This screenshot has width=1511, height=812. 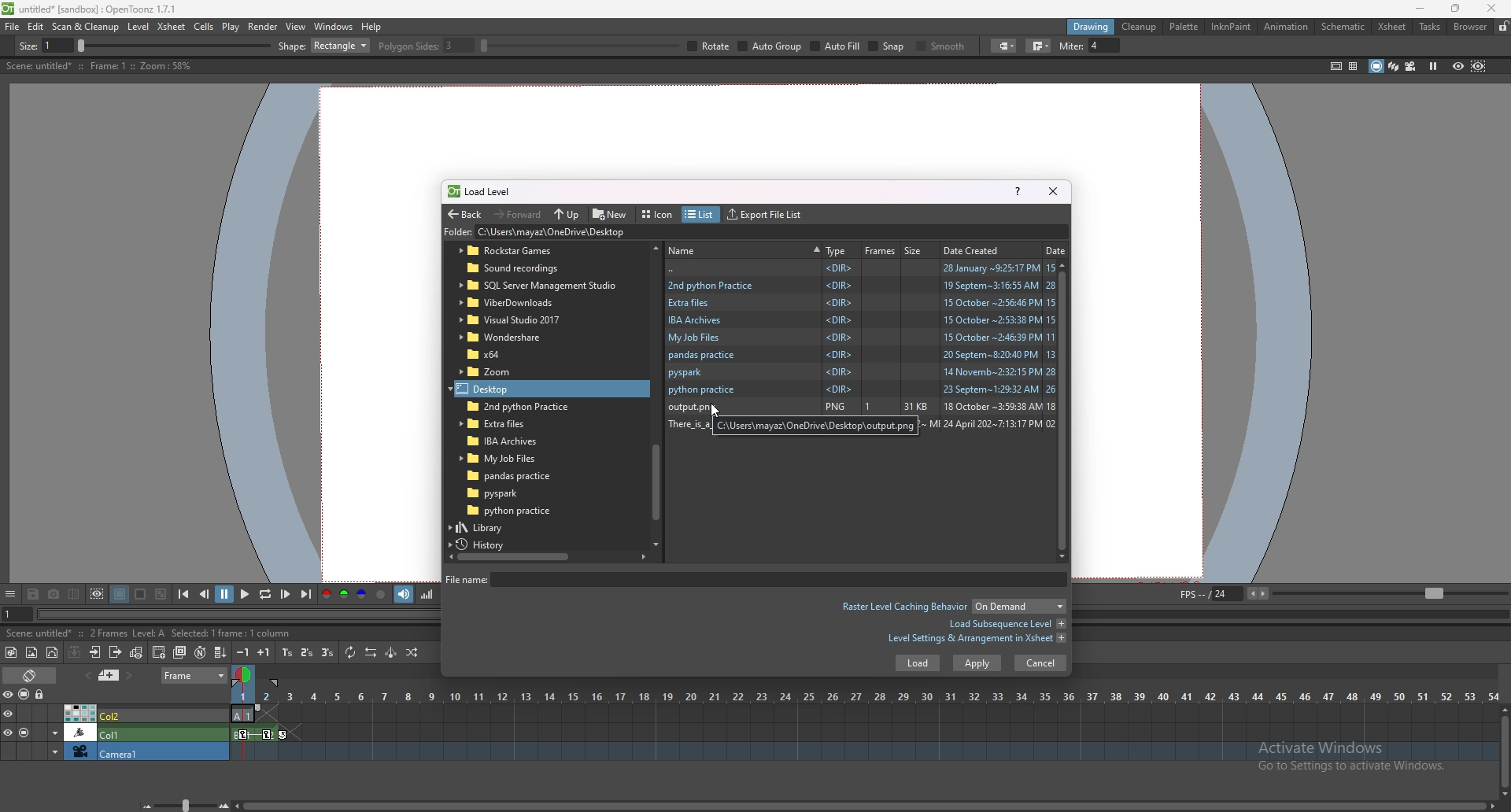 What do you see at coordinates (114, 652) in the screenshot?
I see `close x subsheet` at bounding box center [114, 652].